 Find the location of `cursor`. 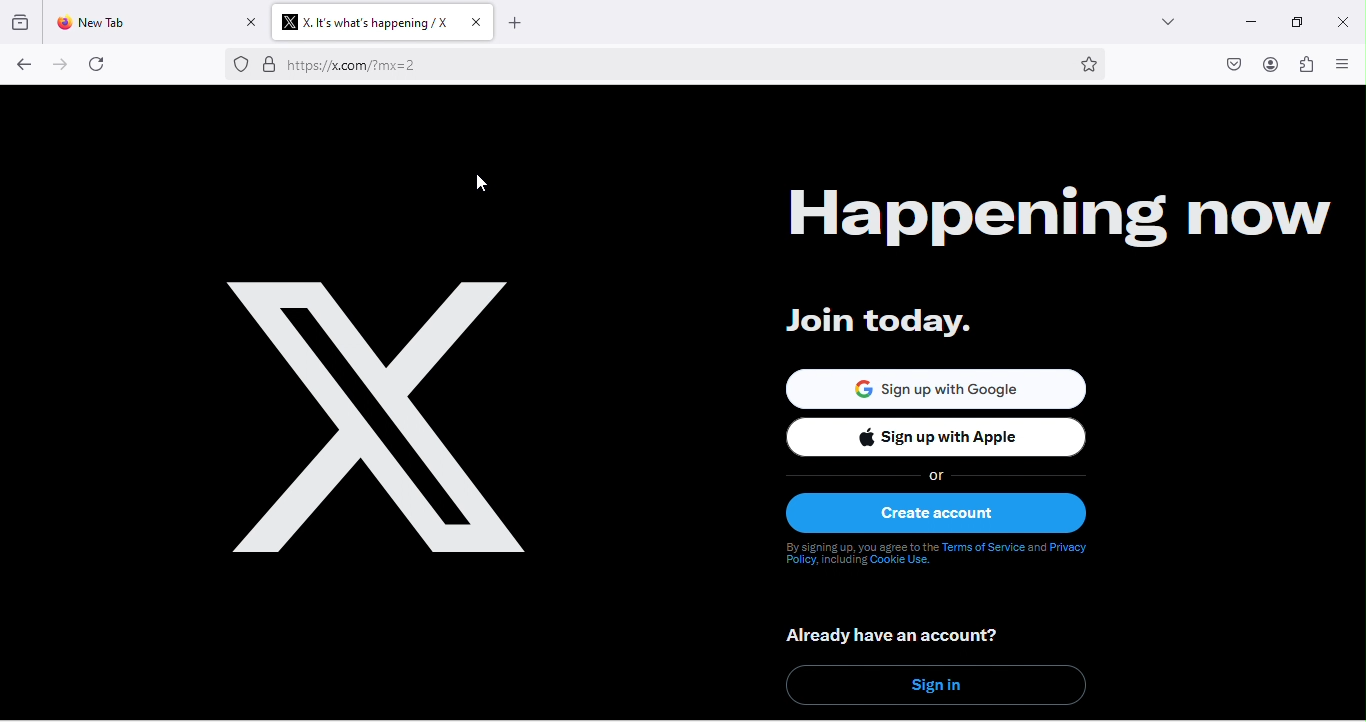

cursor is located at coordinates (477, 182).